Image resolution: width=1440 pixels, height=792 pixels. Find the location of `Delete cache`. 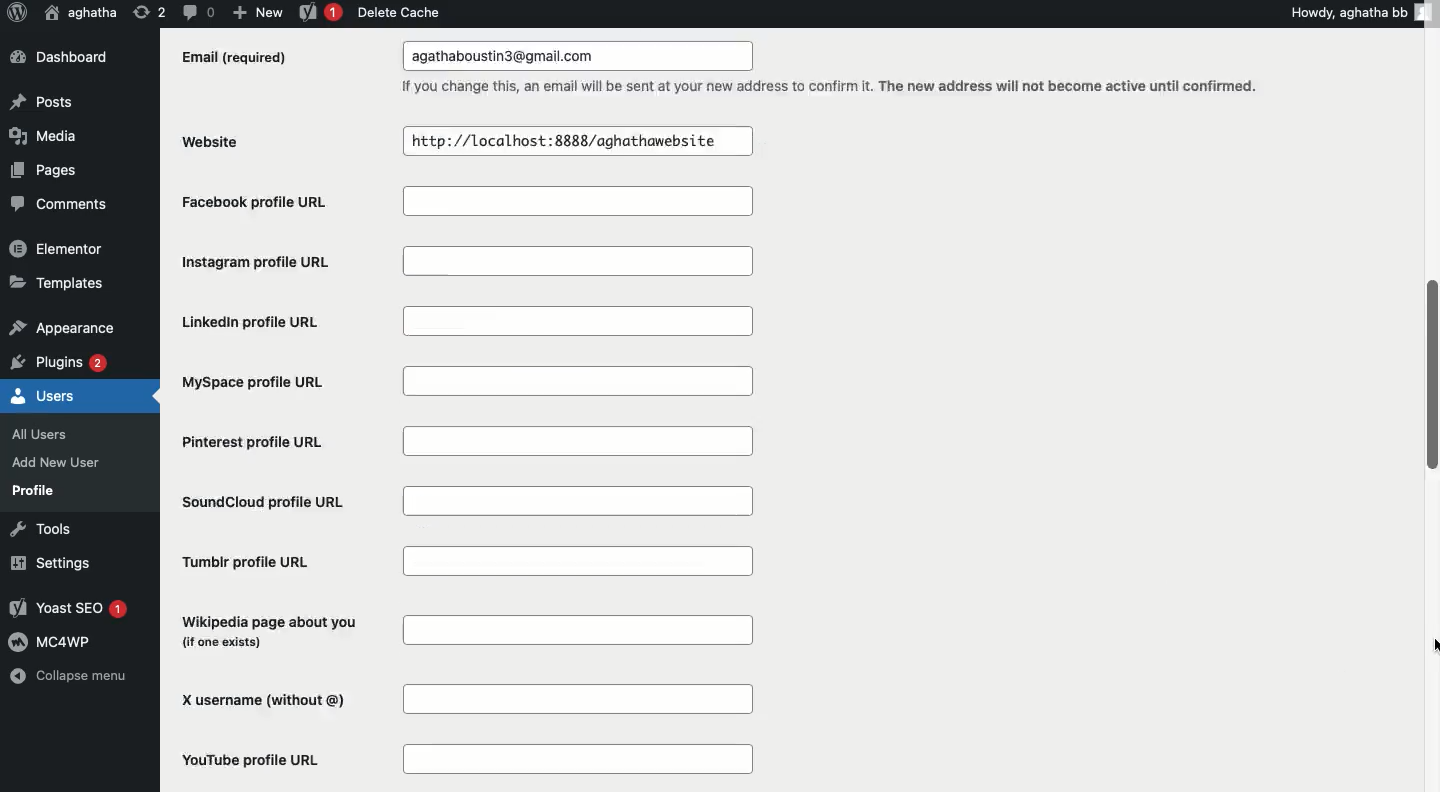

Delete cache is located at coordinates (398, 12).